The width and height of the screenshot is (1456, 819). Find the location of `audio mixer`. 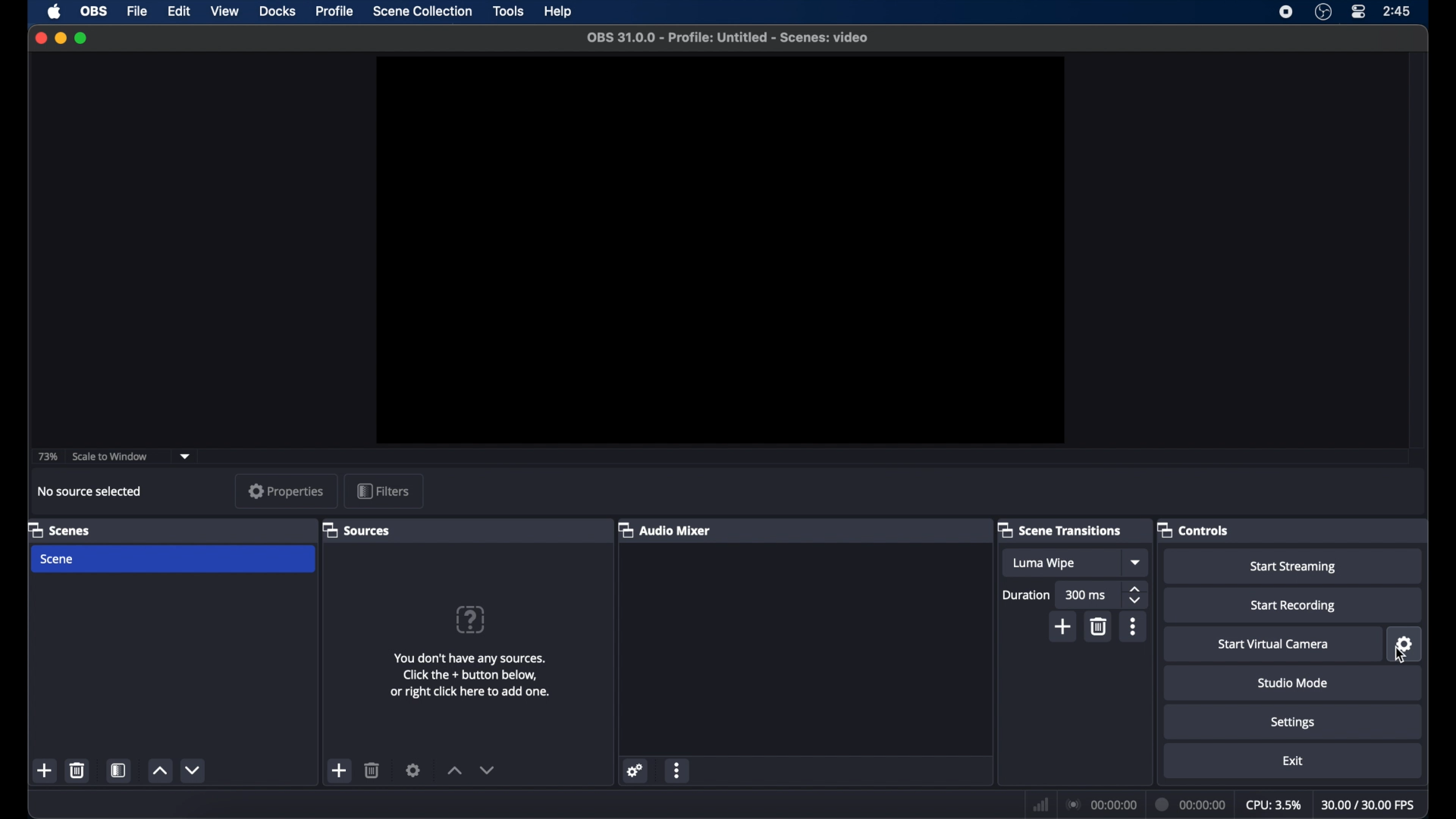

audio mixer is located at coordinates (665, 531).